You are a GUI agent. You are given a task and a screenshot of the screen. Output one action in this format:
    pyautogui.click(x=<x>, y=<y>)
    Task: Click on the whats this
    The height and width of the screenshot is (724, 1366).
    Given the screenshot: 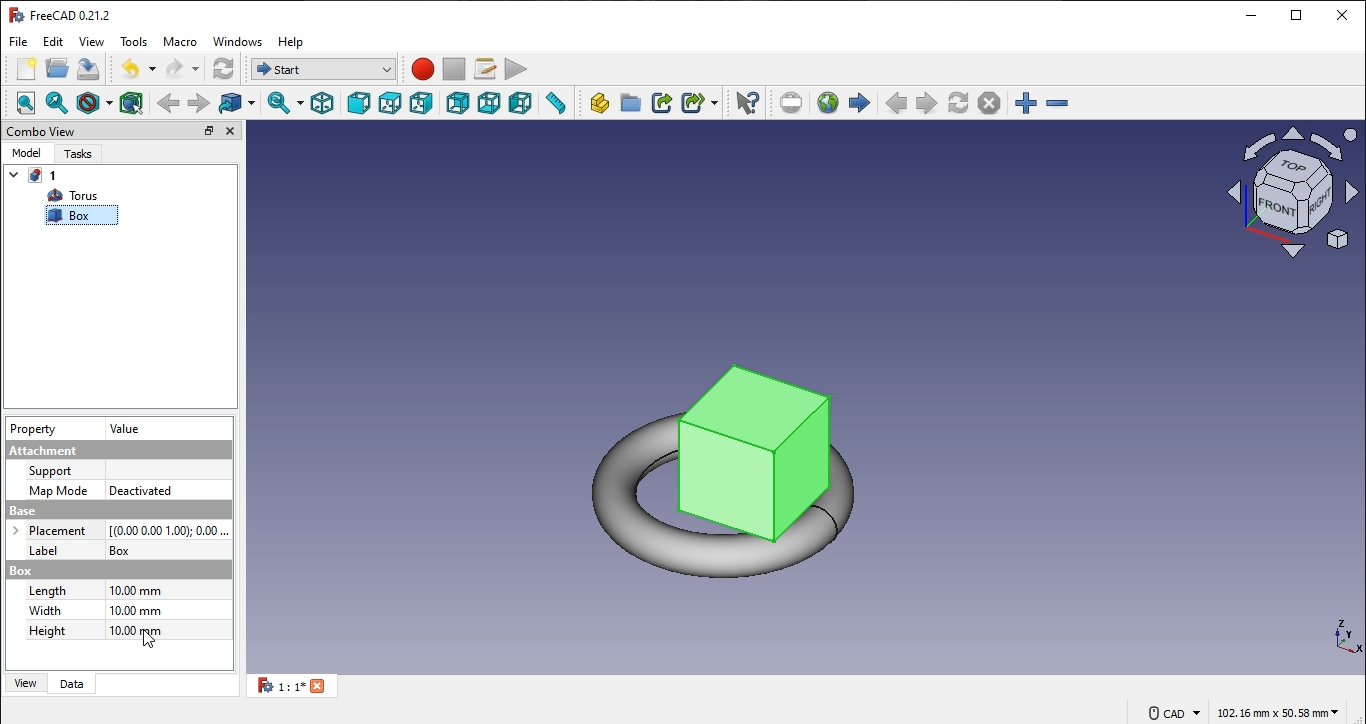 What is the action you would take?
    pyautogui.click(x=747, y=101)
    